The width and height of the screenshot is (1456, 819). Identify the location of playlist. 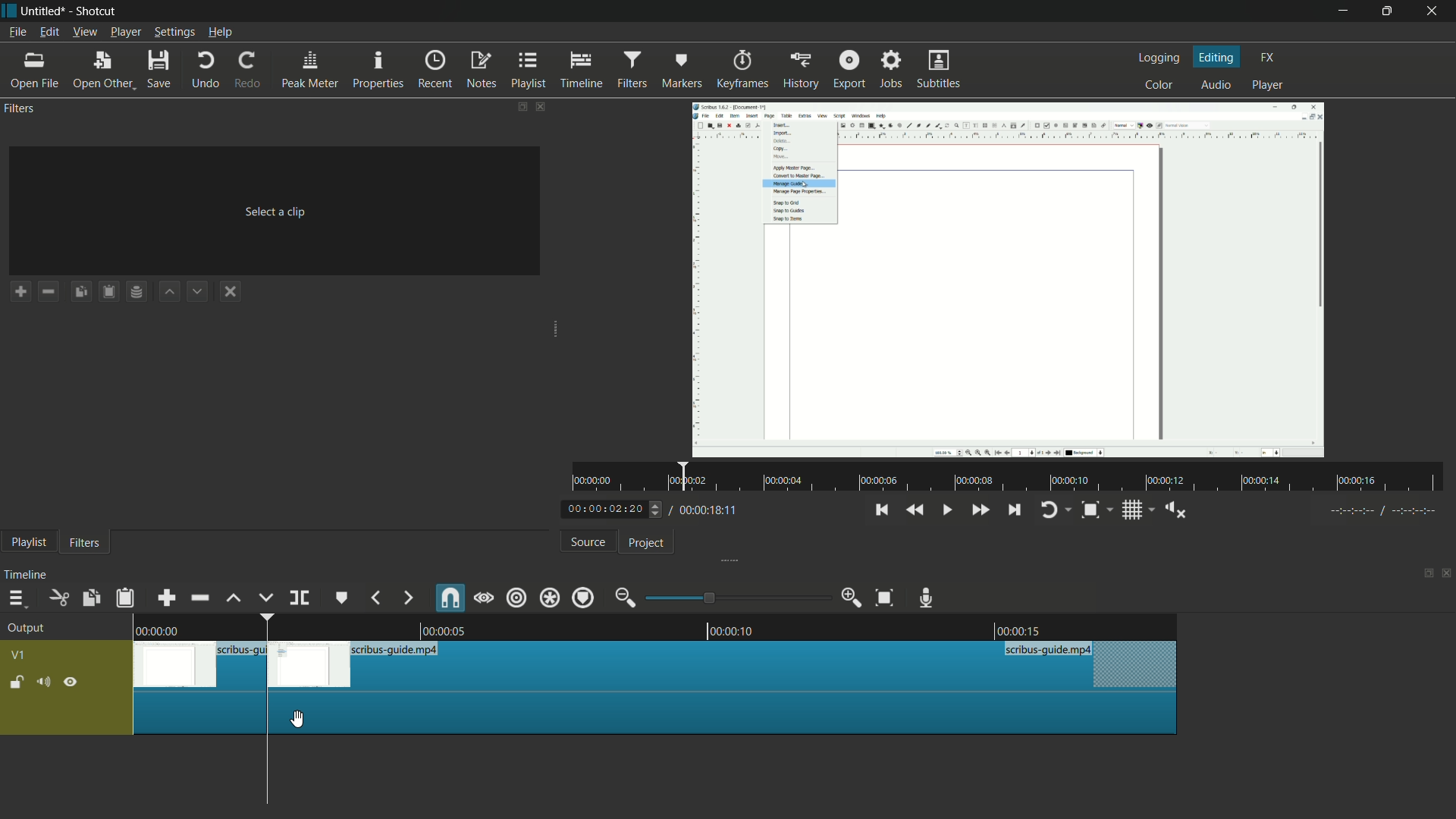
(531, 69).